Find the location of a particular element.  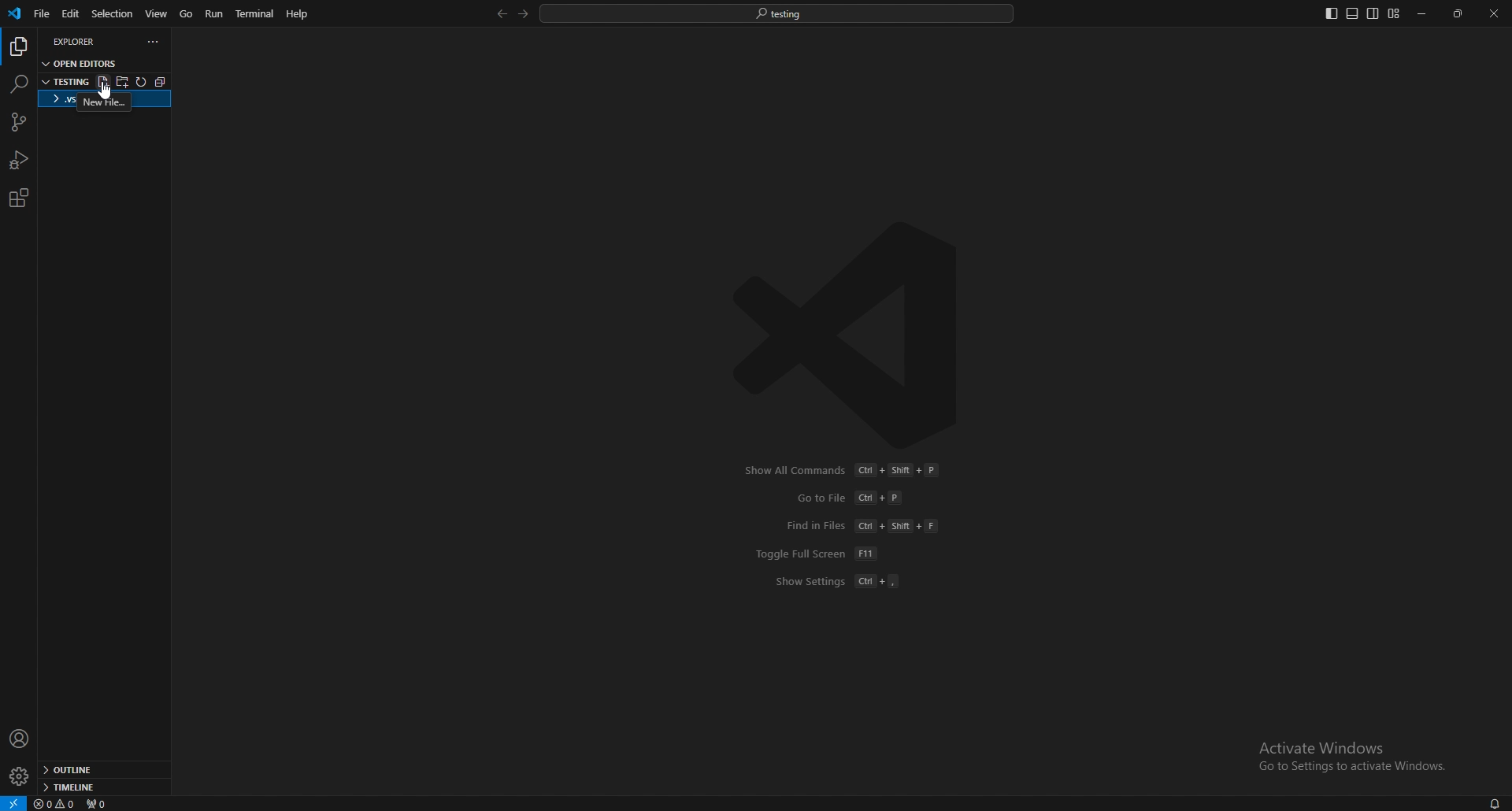

minimize is located at coordinates (1423, 14).